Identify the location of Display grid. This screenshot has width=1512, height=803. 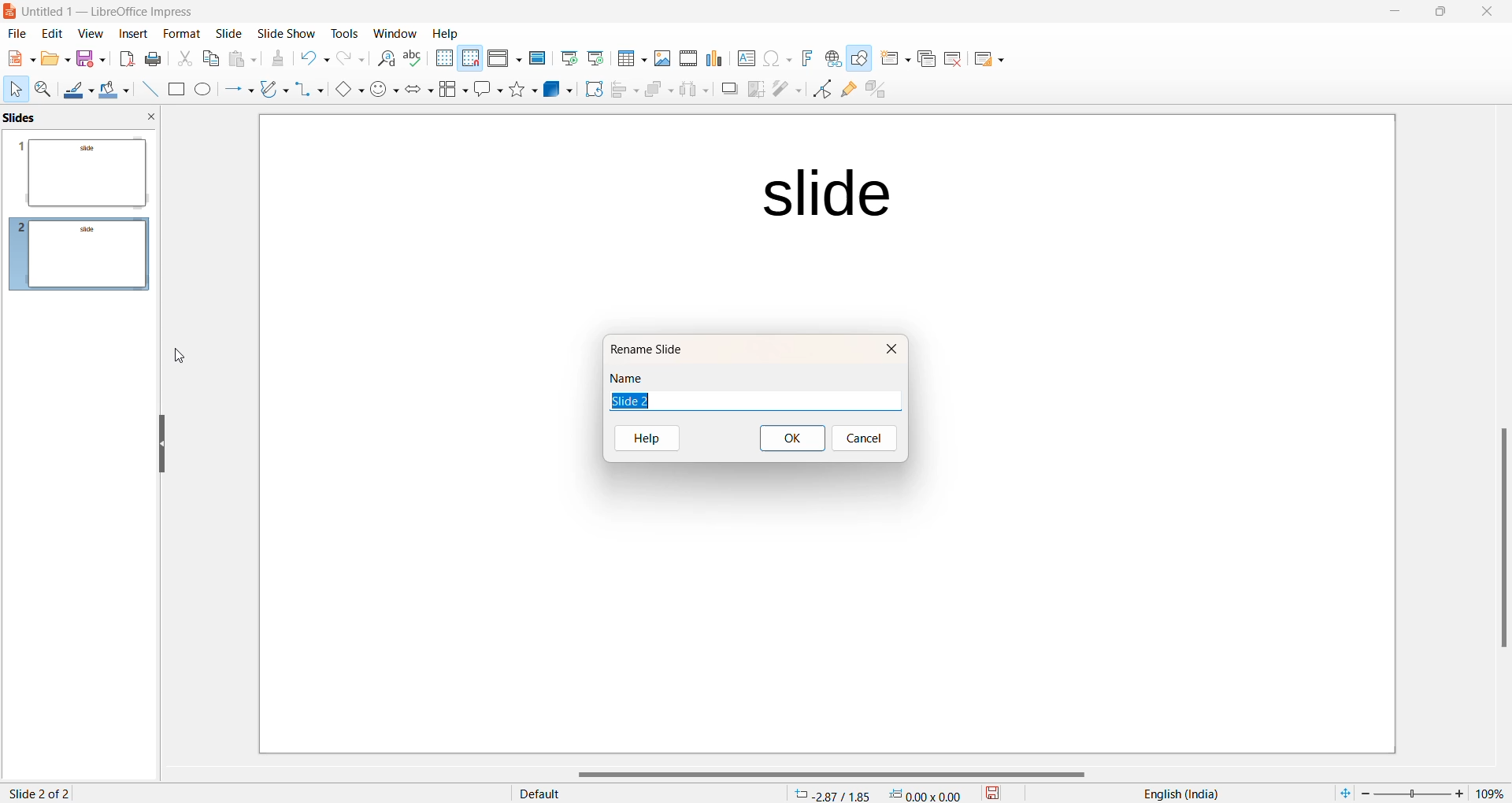
(443, 58).